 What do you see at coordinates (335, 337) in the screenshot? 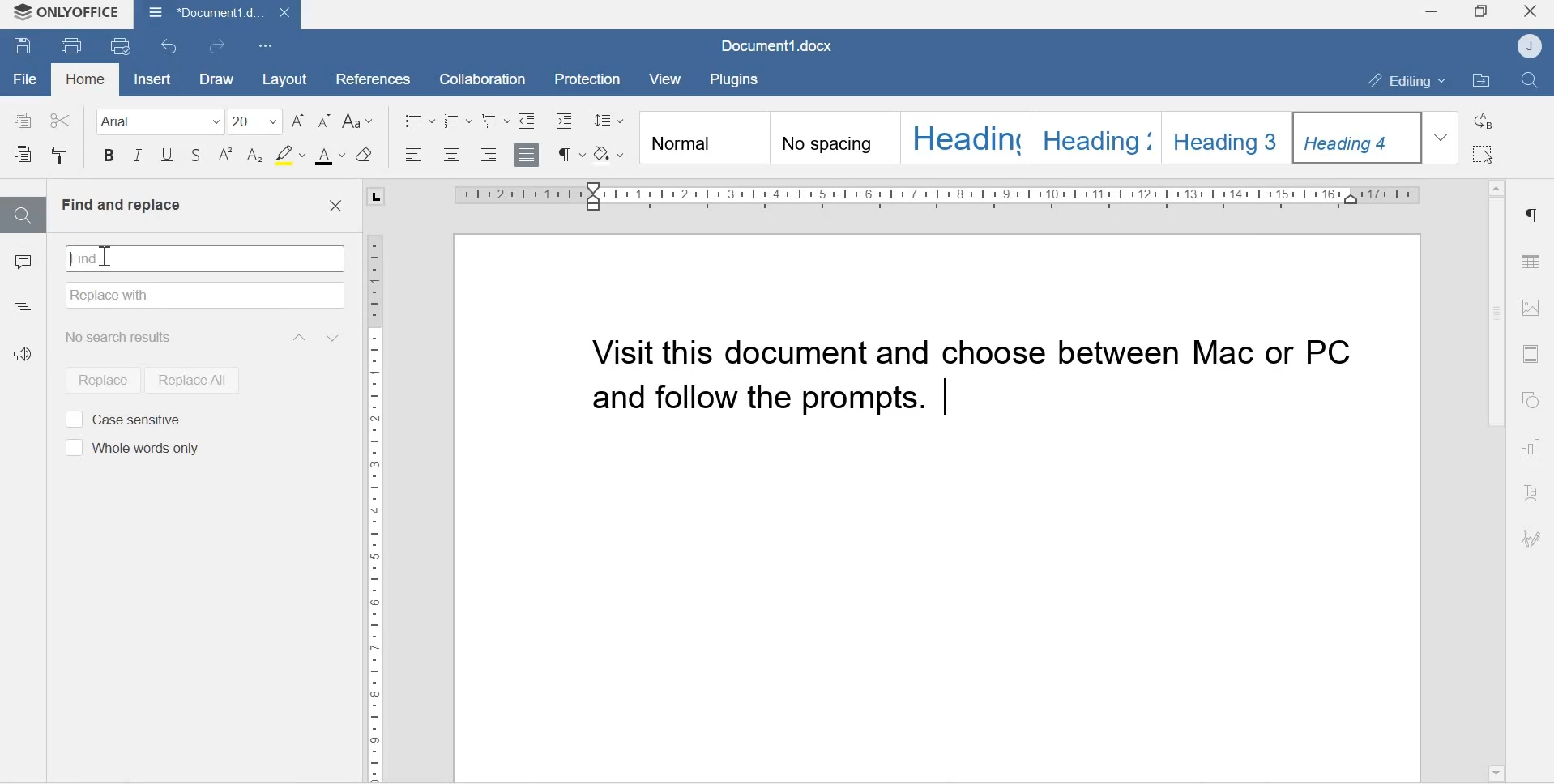
I see `Next result` at bounding box center [335, 337].